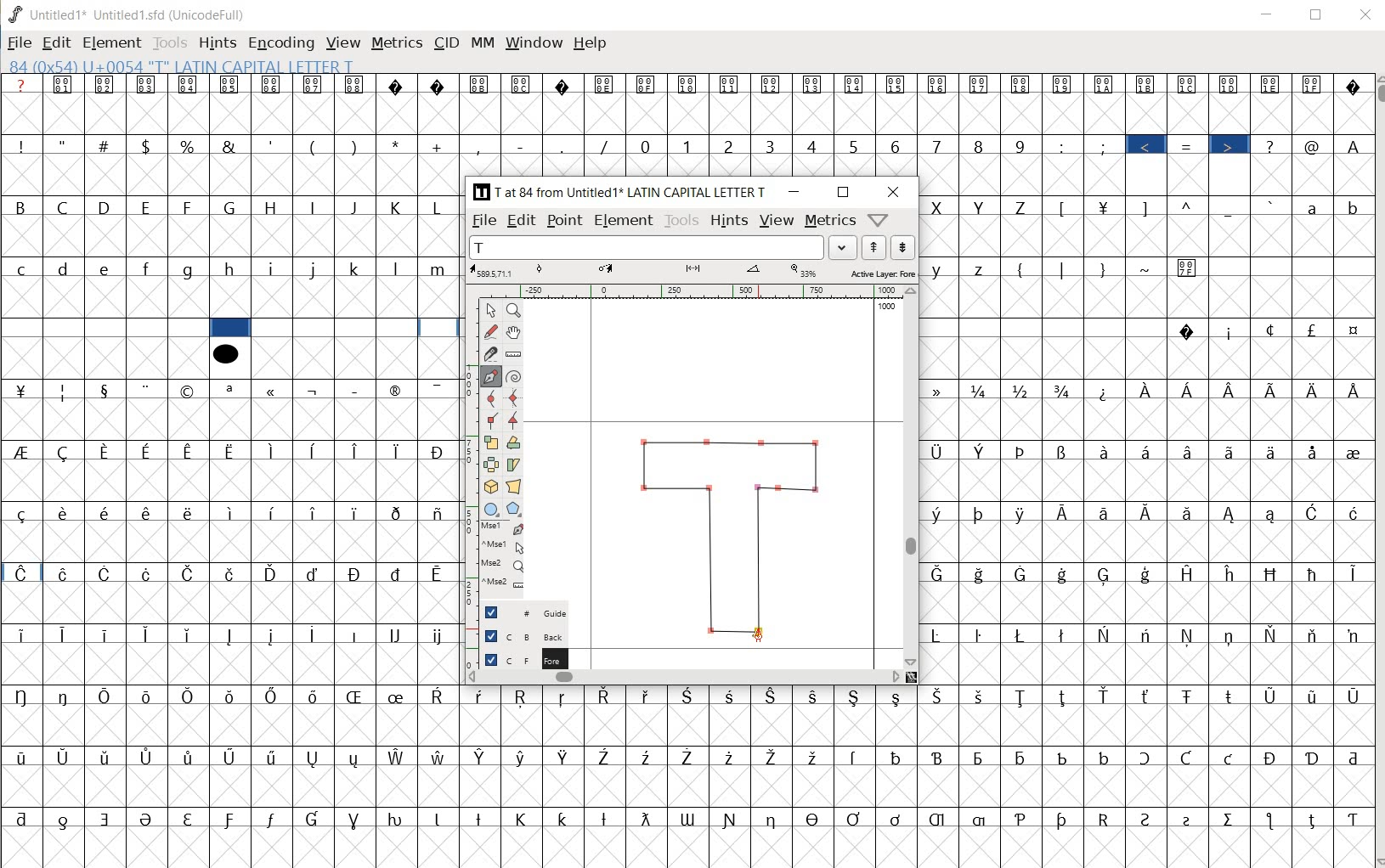 This screenshot has width=1385, height=868. What do you see at coordinates (982, 390) in the screenshot?
I see `Symbol` at bounding box center [982, 390].